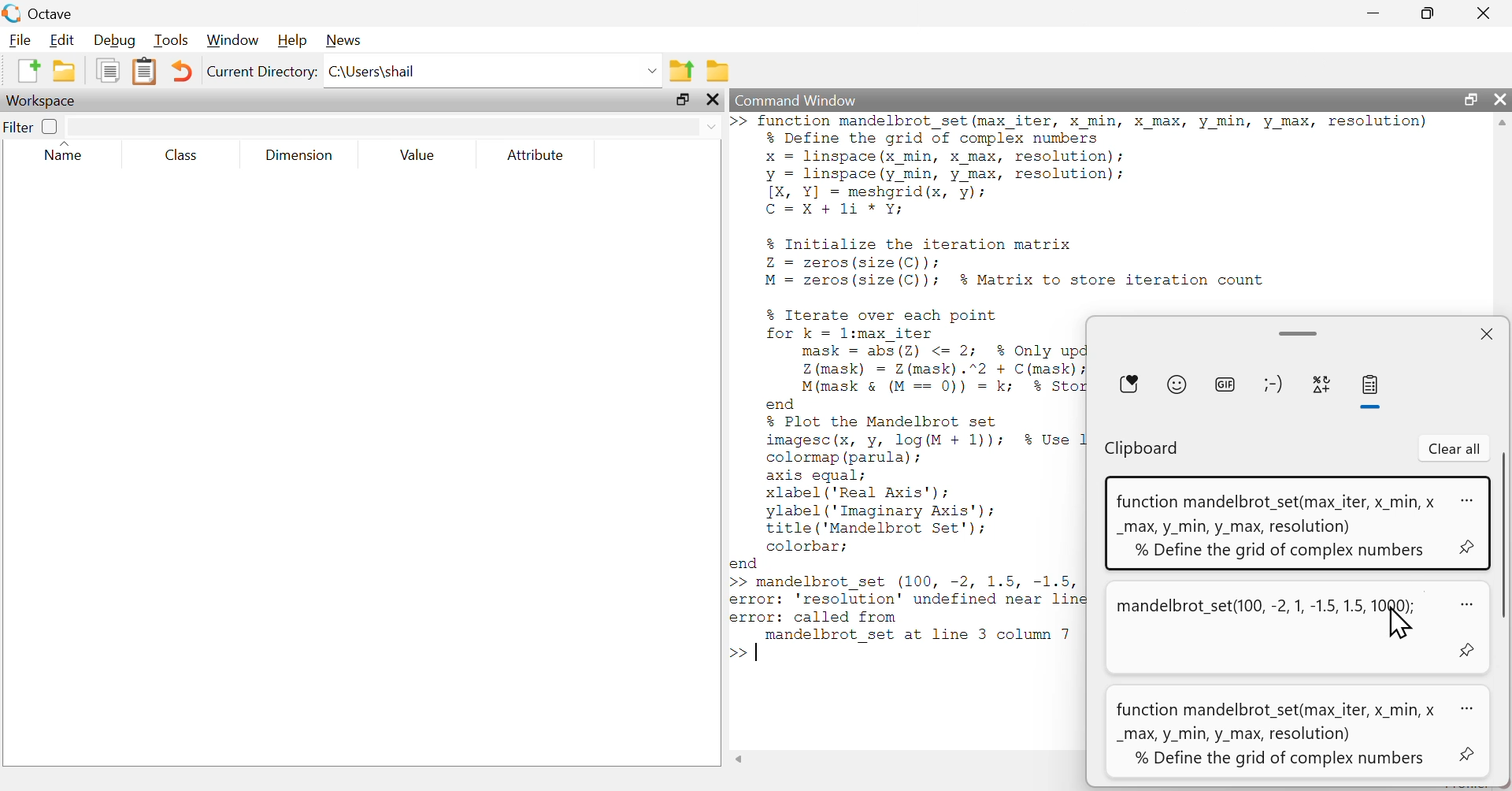  What do you see at coordinates (61, 39) in the screenshot?
I see `Edit` at bounding box center [61, 39].